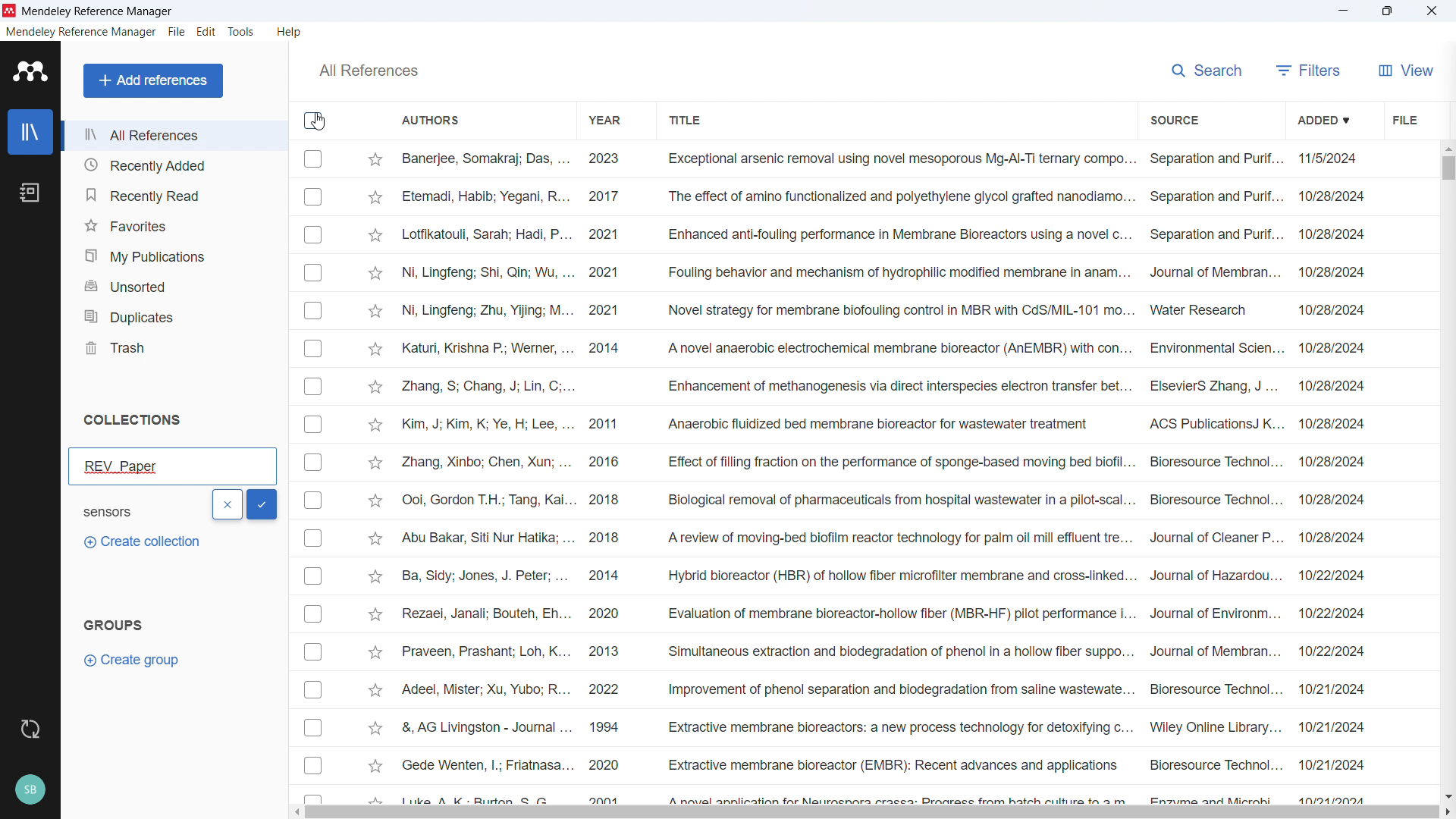 This screenshot has width=1456, height=819. I want to click on Gede Wenten, |; Friatnasa... 2020 Extractive membrane bioreactor (EMBR): Recent advances and applications Bioresource Technol... 10/21/2024, so click(883, 764).